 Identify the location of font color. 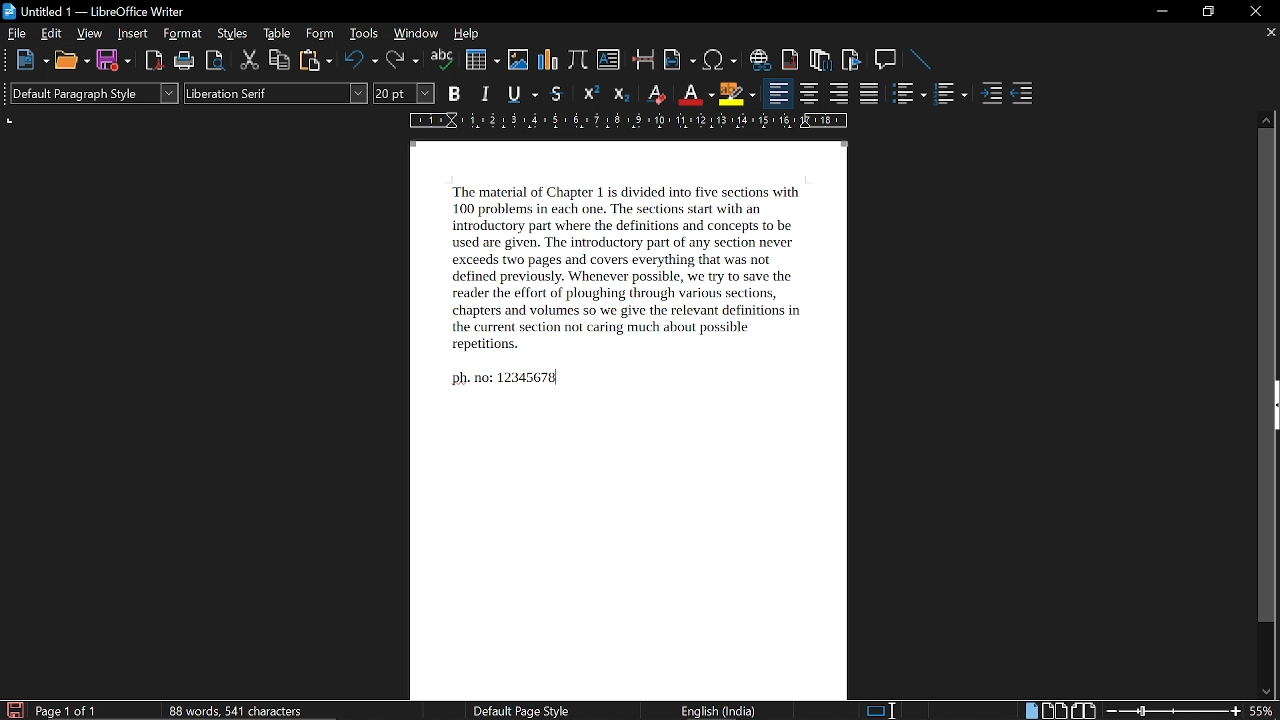
(694, 95).